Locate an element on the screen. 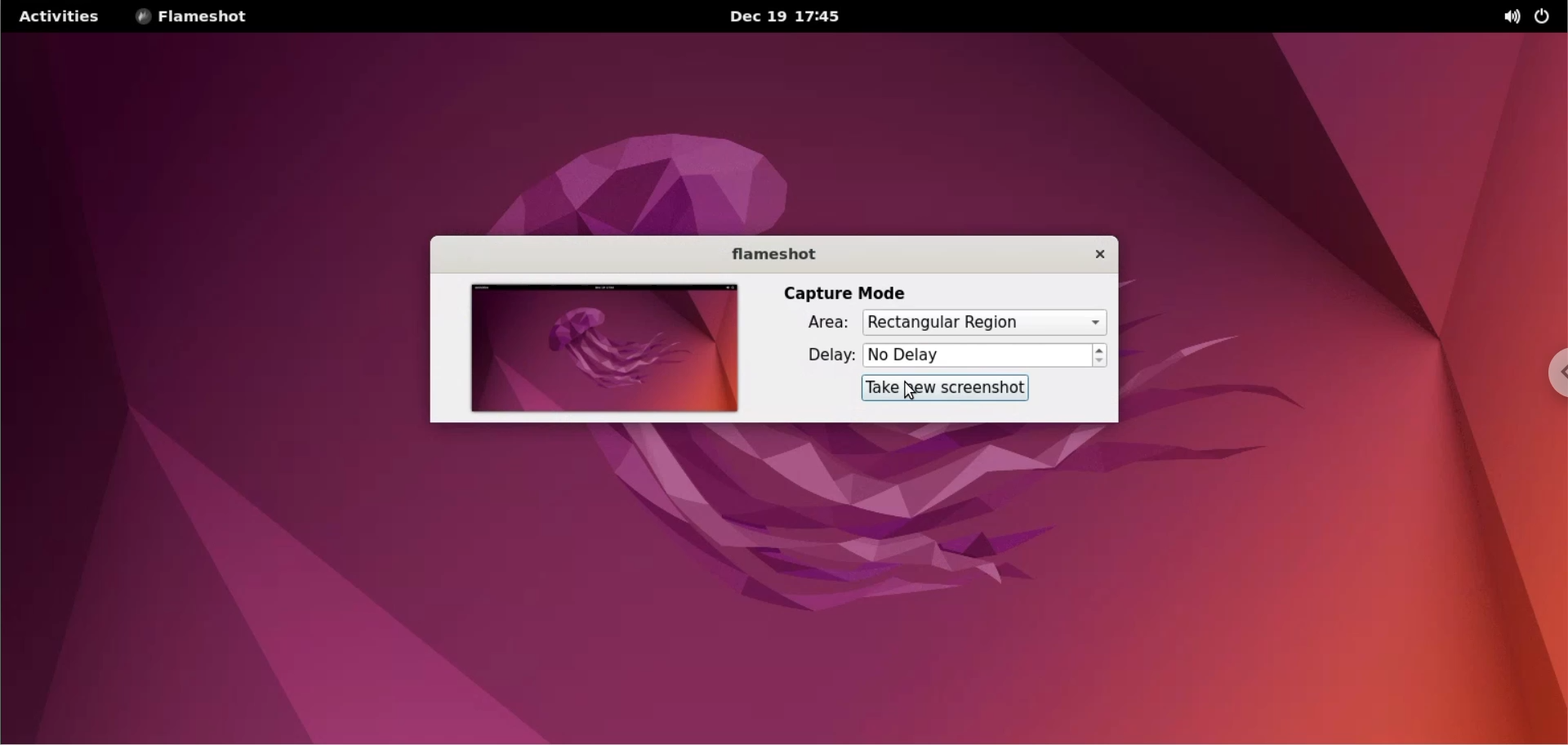 The image size is (1568, 745). chrome options is located at coordinates (1548, 377).